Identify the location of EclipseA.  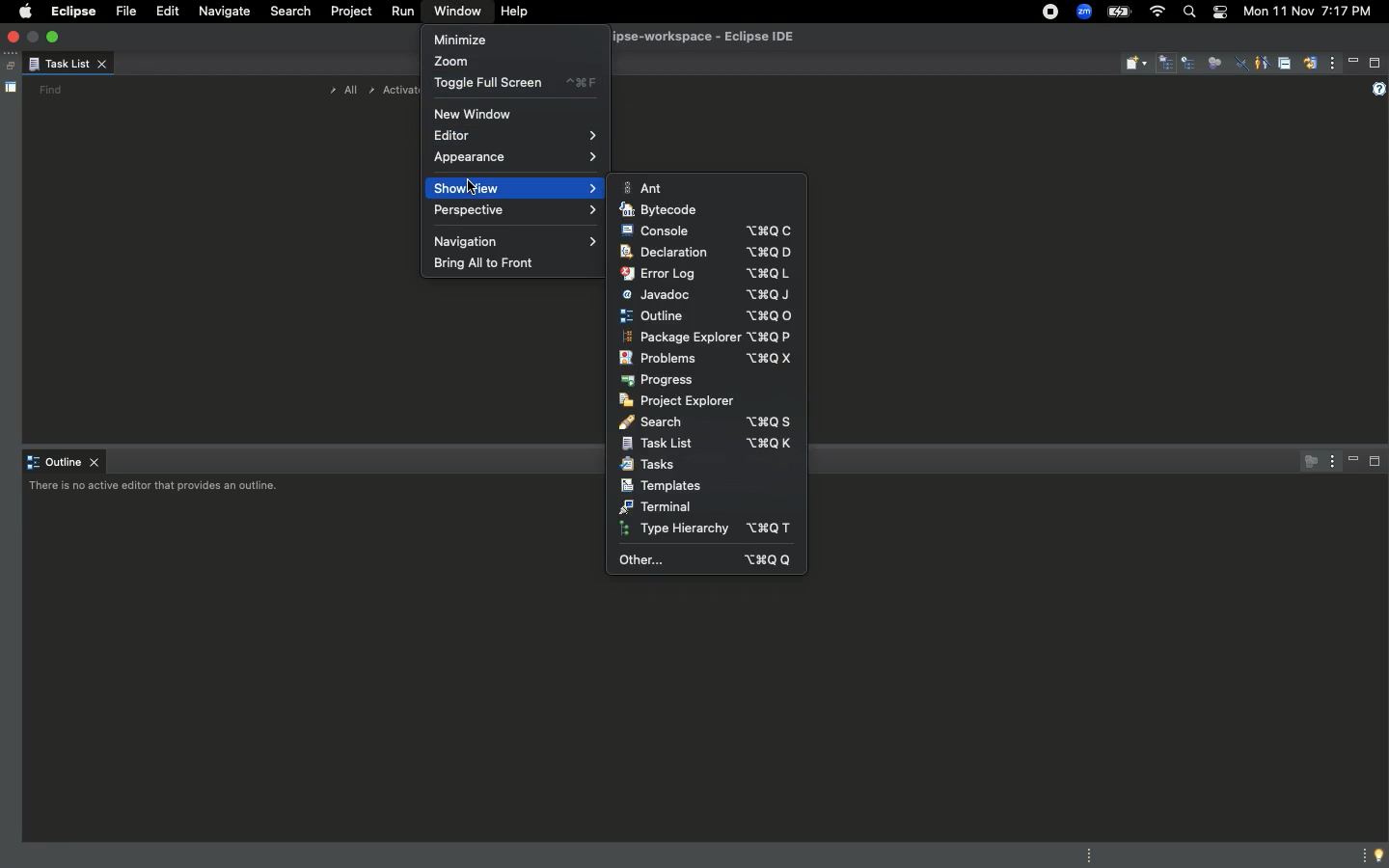
(71, 12).